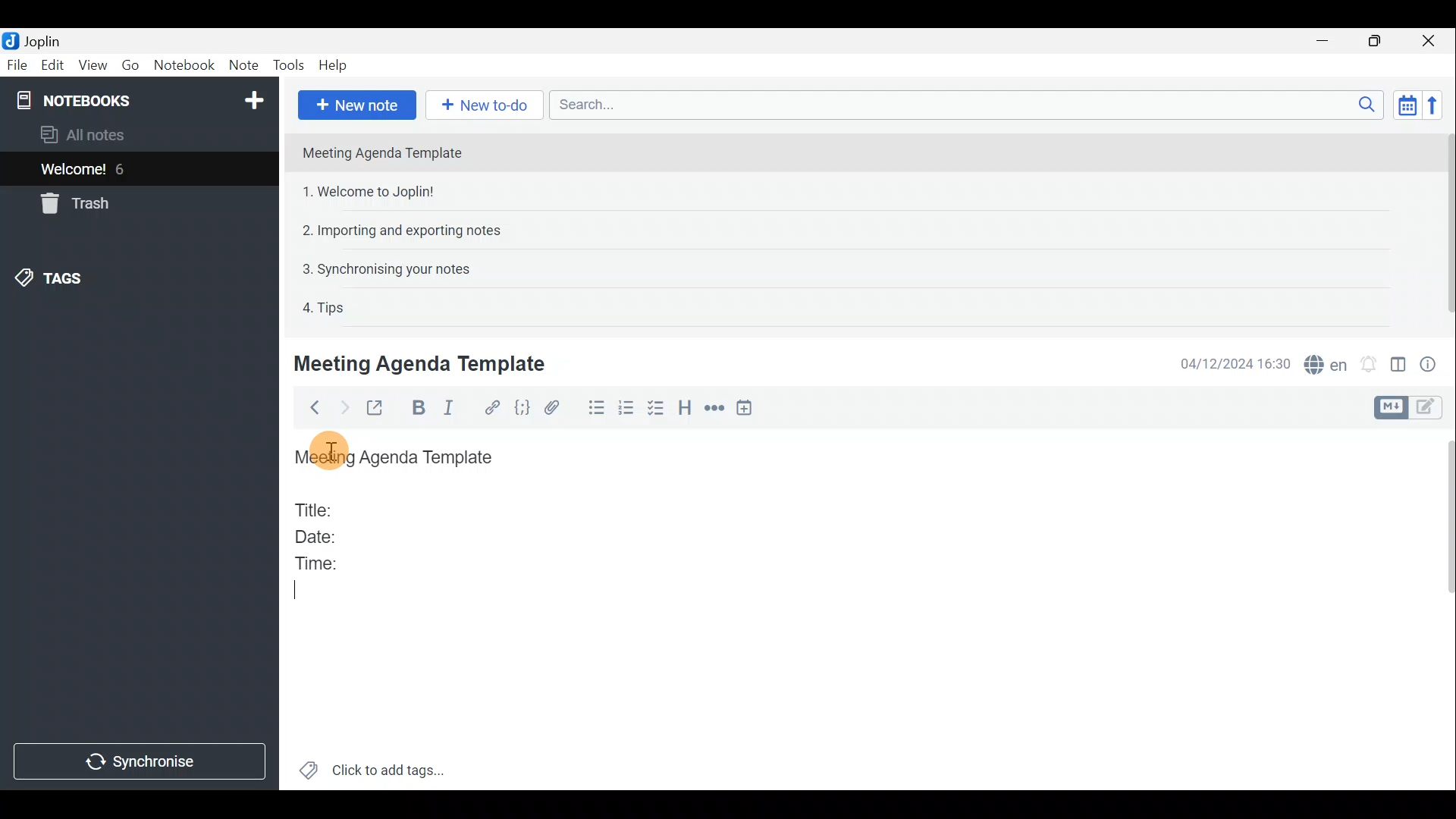  Describe the element at coordinates (140, 761) in the screenshot. I see `Synchronise` at that location.